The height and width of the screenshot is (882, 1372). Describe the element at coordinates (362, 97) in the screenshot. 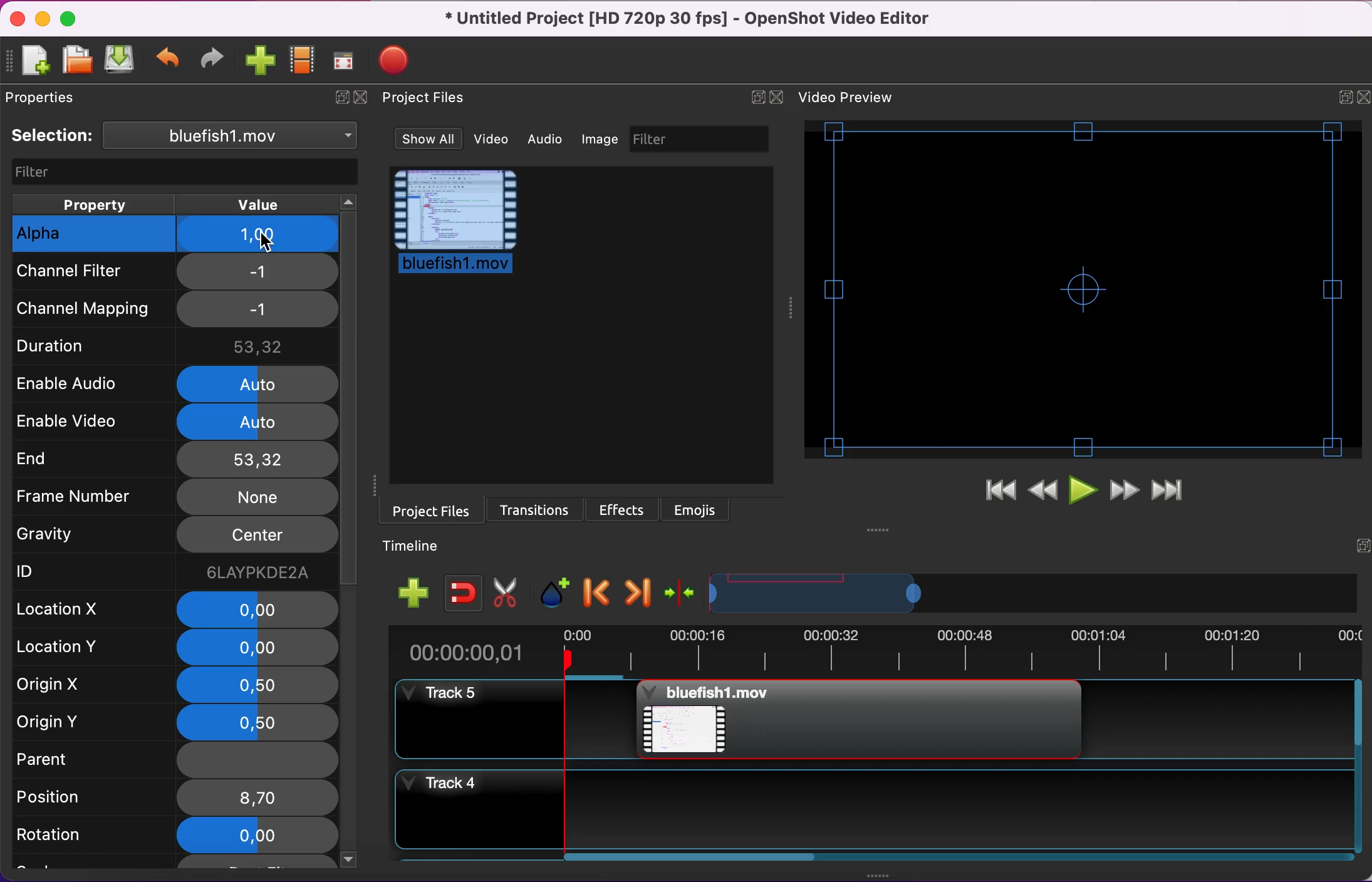

I see `close` at that location.